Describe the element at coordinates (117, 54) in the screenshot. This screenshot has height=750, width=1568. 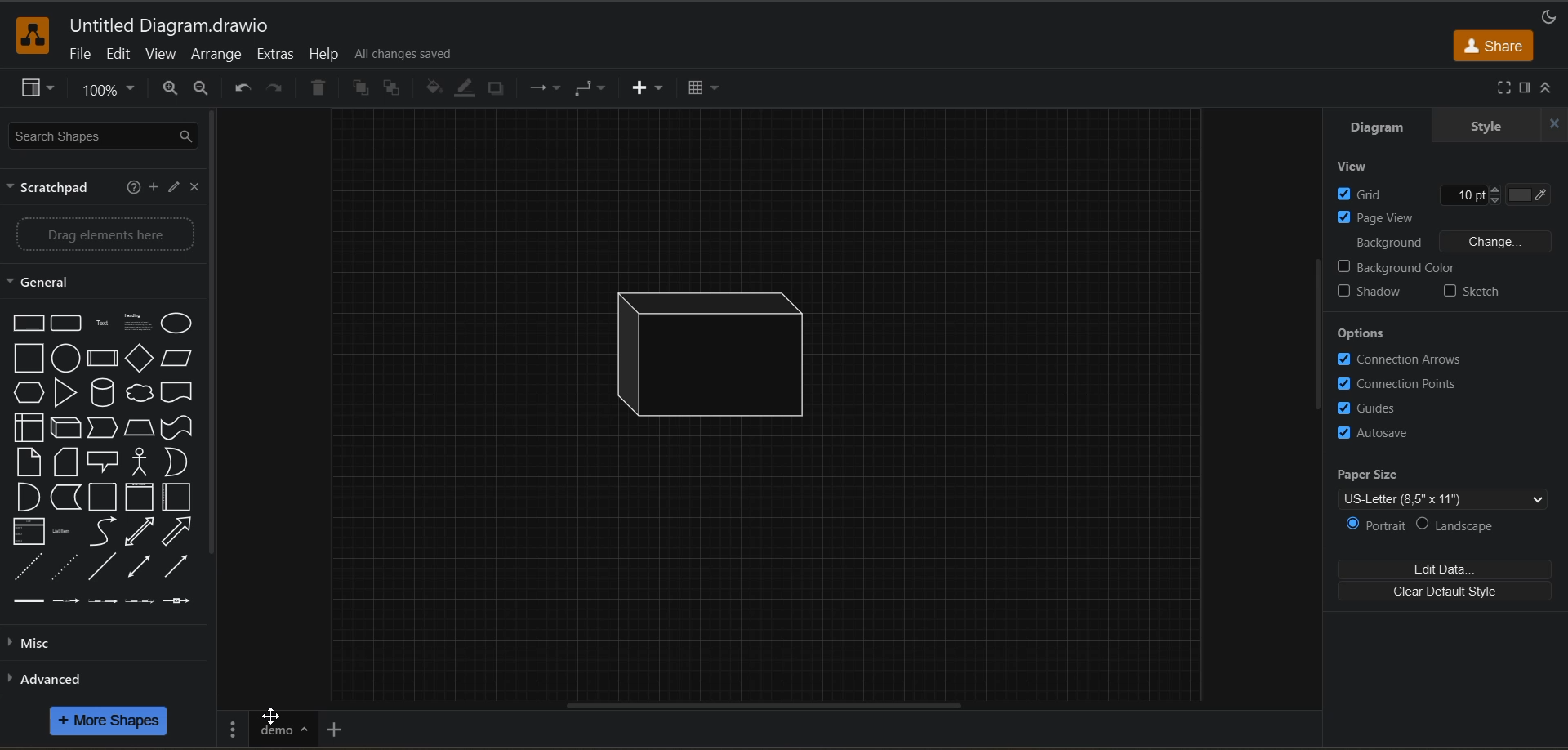
I see `edit` at that location.